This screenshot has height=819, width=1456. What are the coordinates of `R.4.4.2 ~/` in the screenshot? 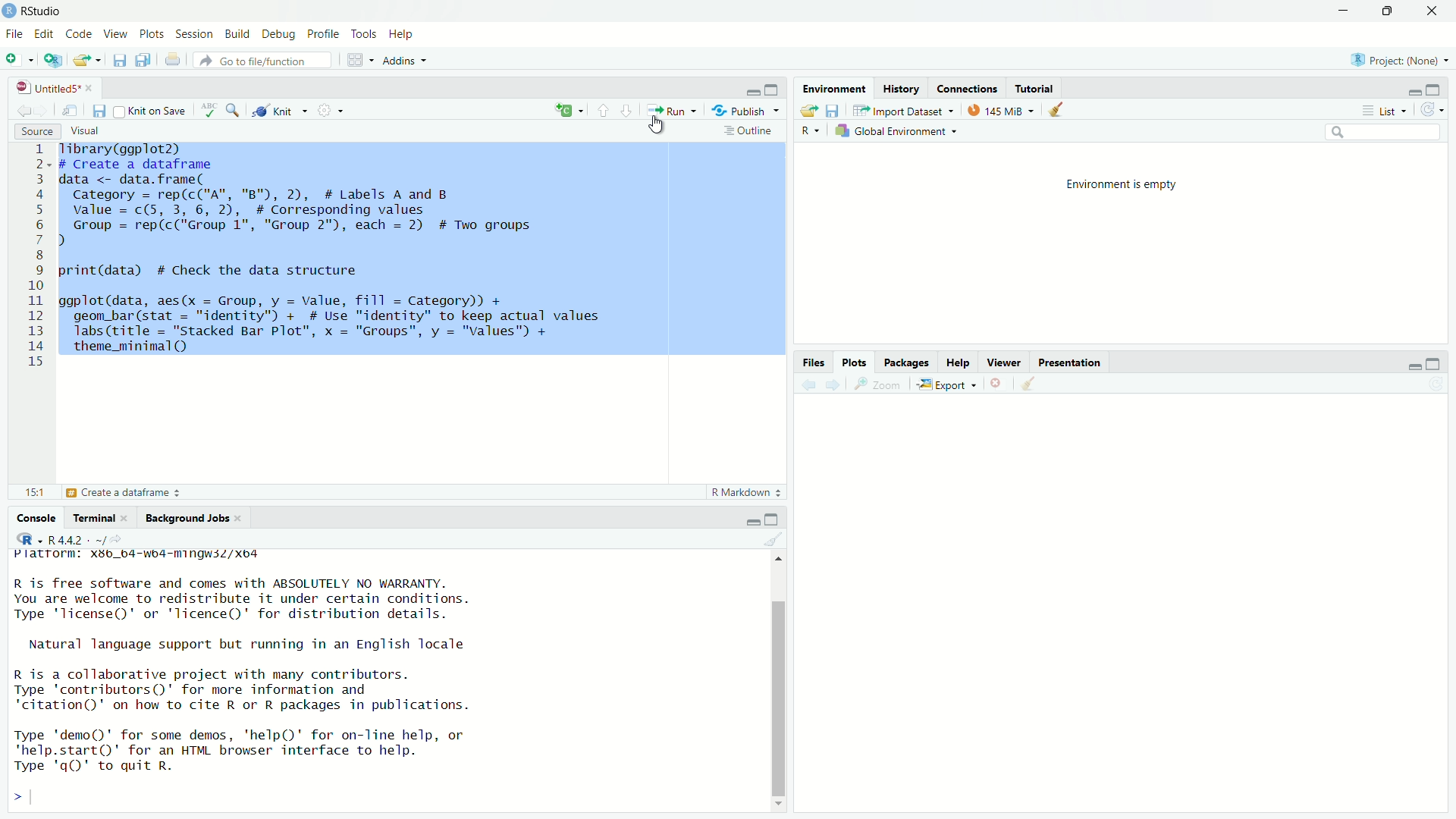 It's located at (89, 538).